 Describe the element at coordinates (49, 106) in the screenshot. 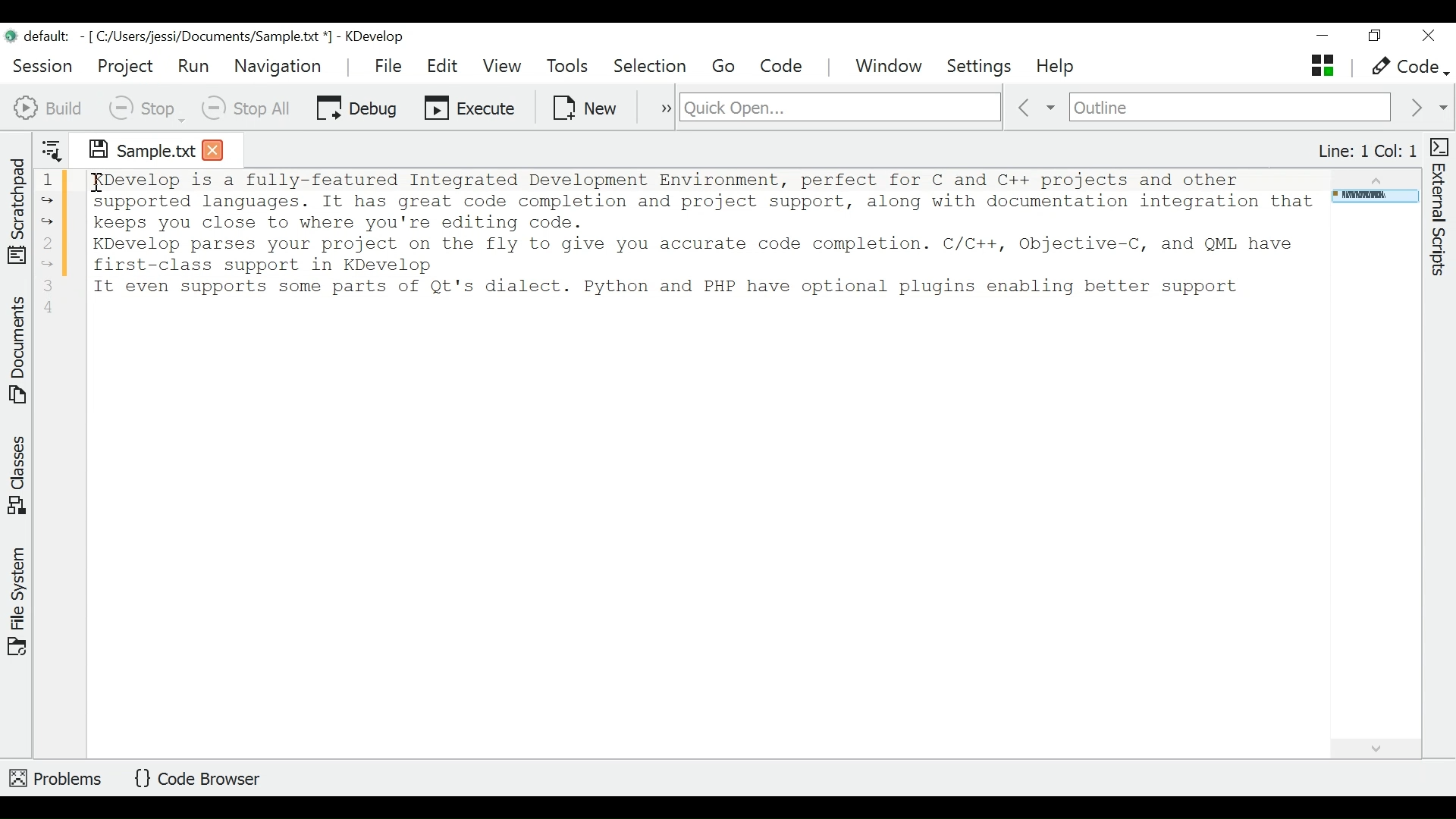

I see `Build` at that location.